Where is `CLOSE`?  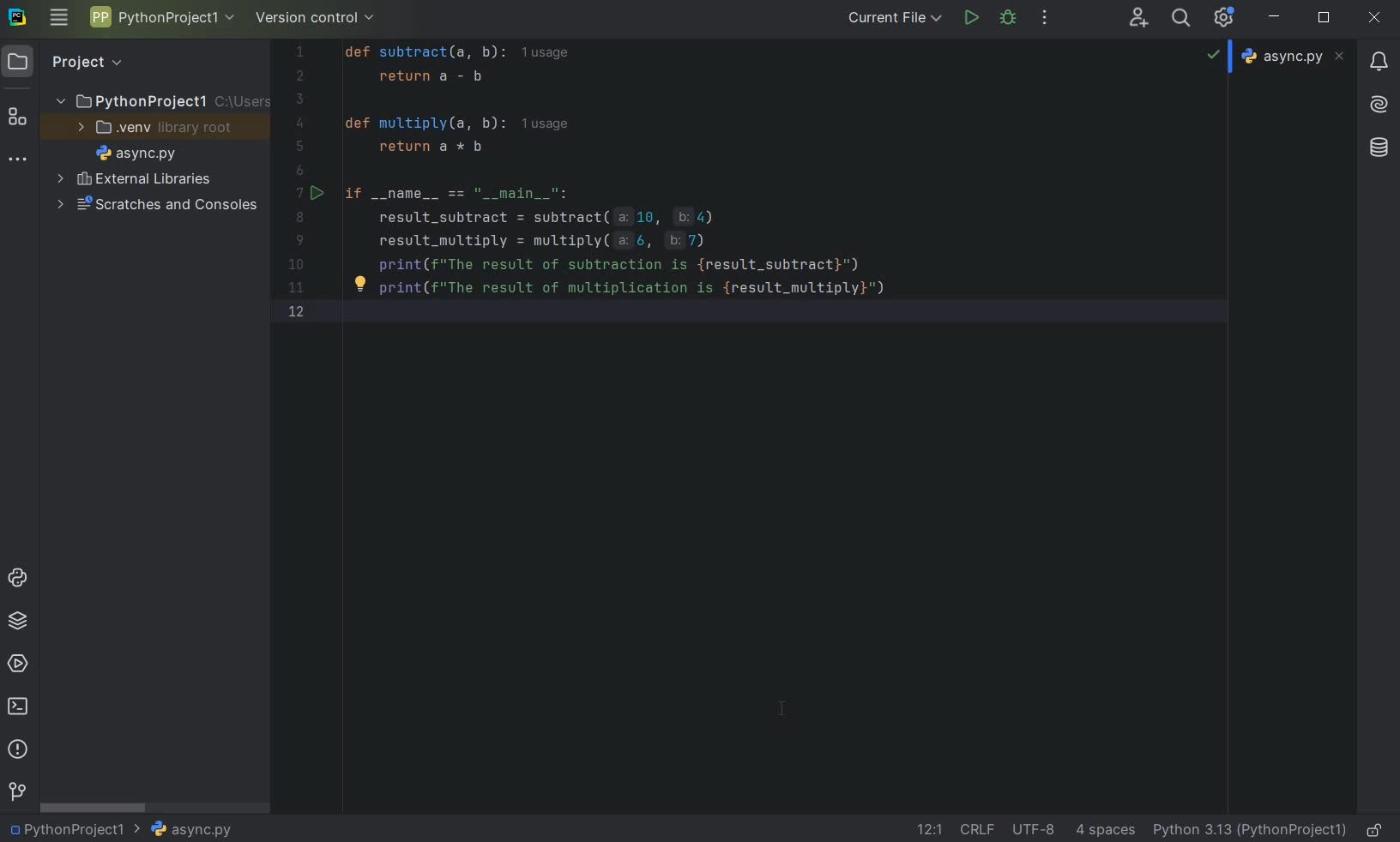
CLOSE is located at coordinates (1373, 19).